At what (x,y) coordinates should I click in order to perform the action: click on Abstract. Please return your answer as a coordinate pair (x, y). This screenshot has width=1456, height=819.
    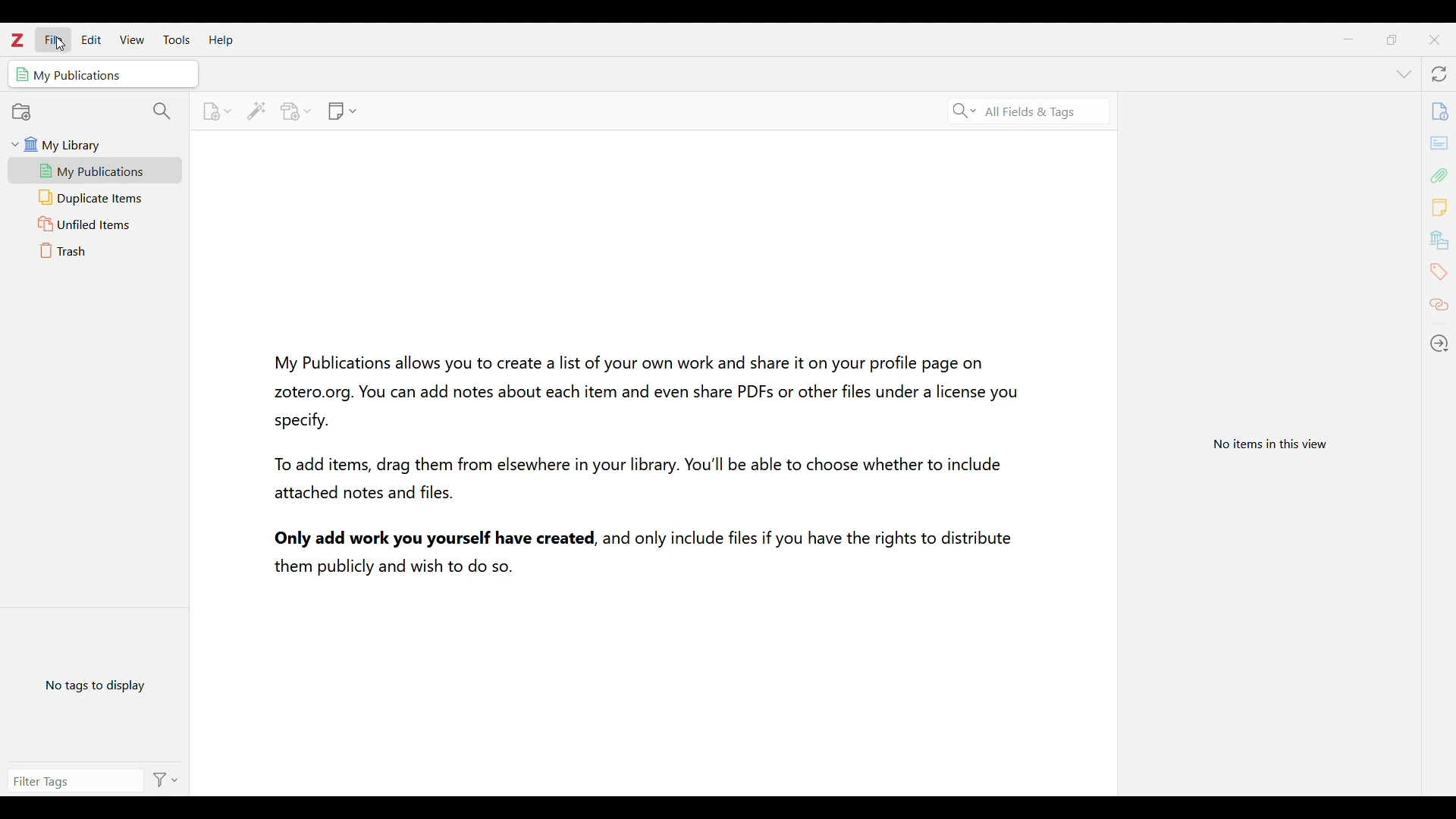
    Looking at the image, I should click on (1439, 143).